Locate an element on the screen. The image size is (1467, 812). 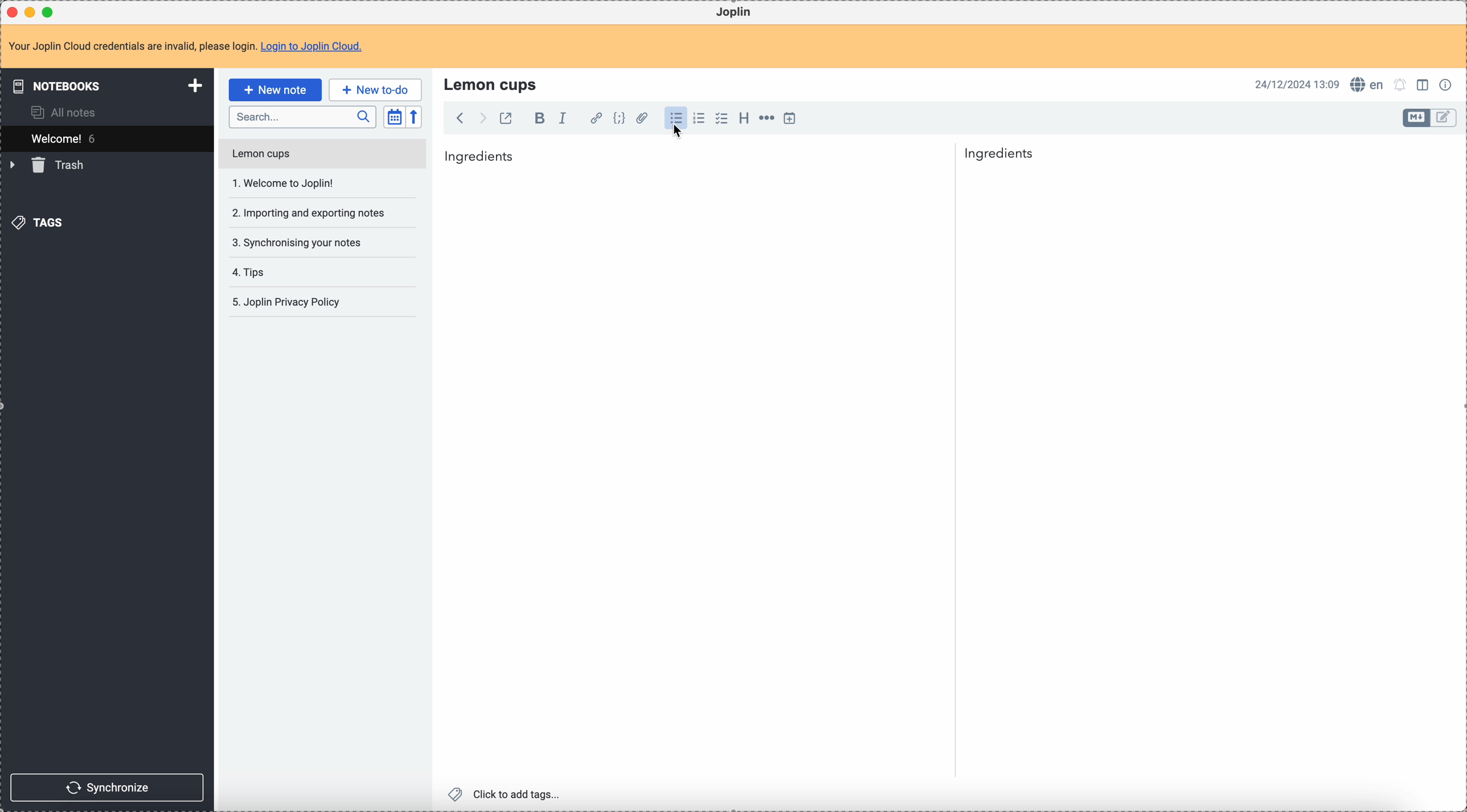
tags is located at coordinates (40, 222).